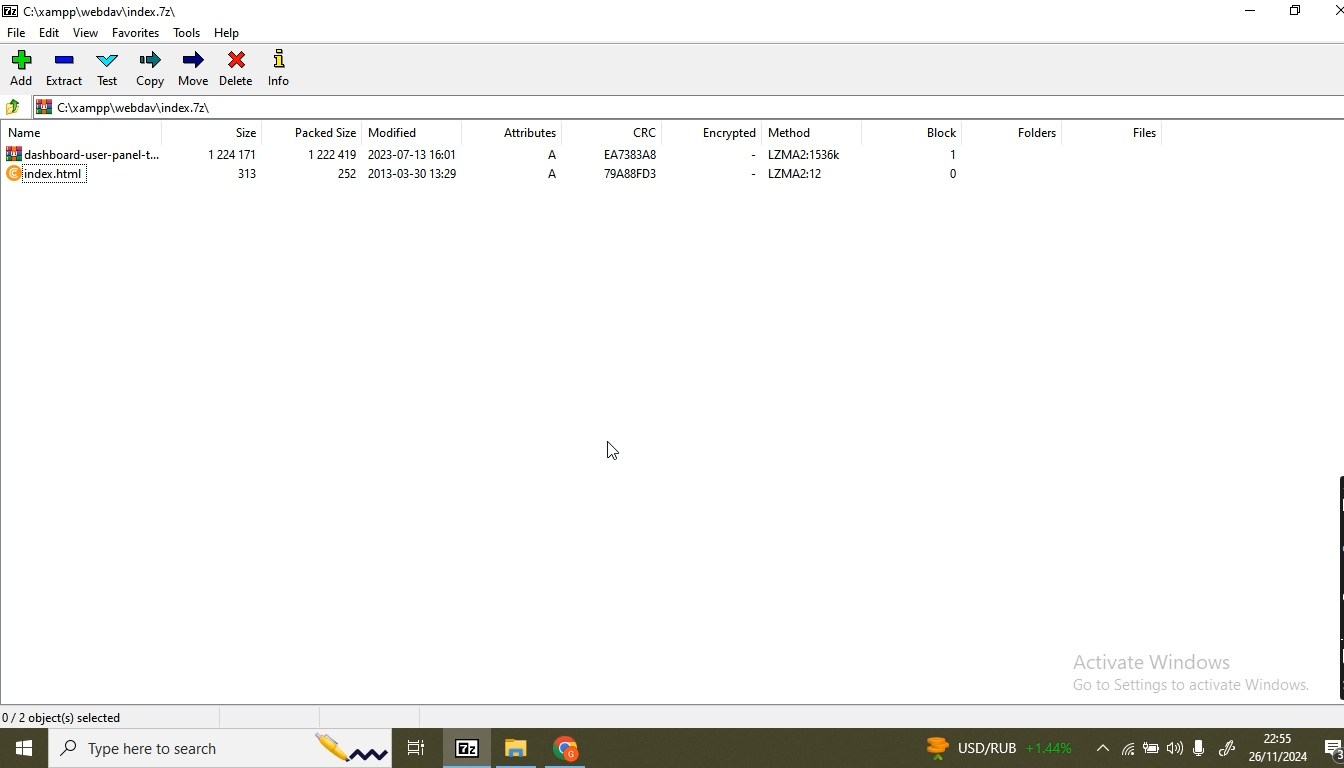 Image resolution: width=1344 pixels, height=768 pixels. Describe the element at coordinates (1149, 134) in the screenshot. I see `files` at that location.